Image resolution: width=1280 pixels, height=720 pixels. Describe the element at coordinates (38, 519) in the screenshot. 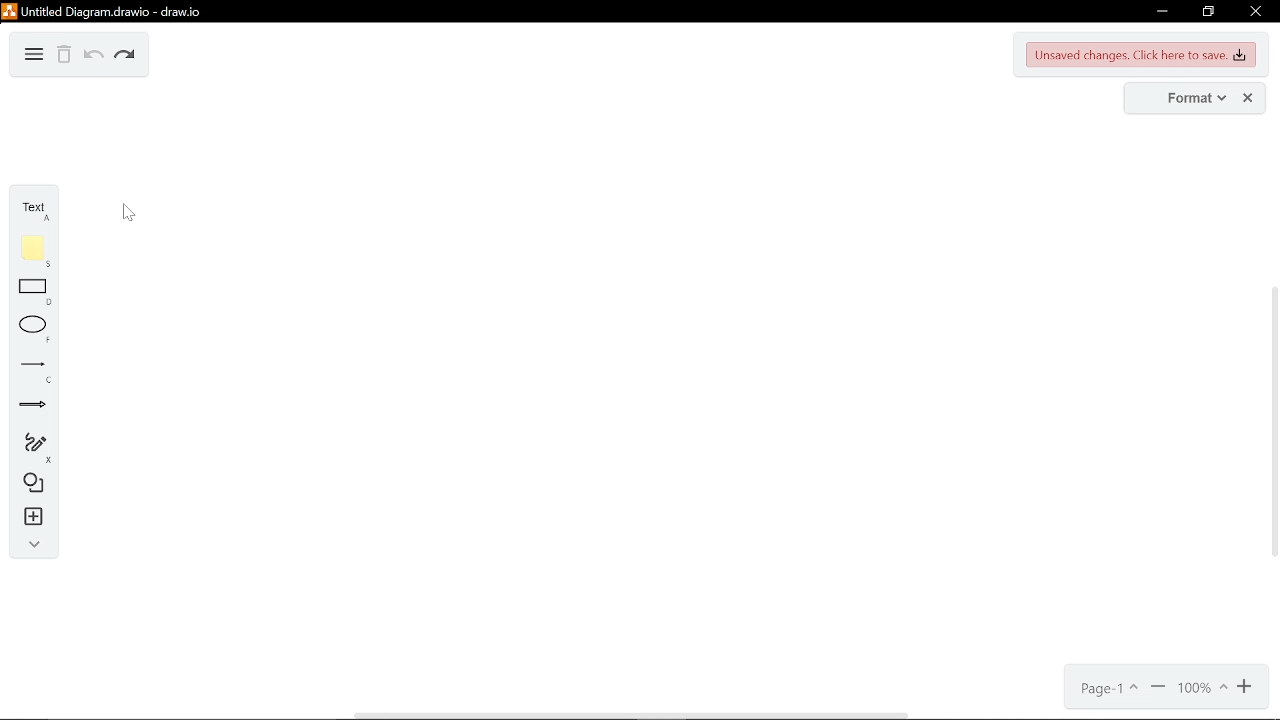

I see `insert` at that location.